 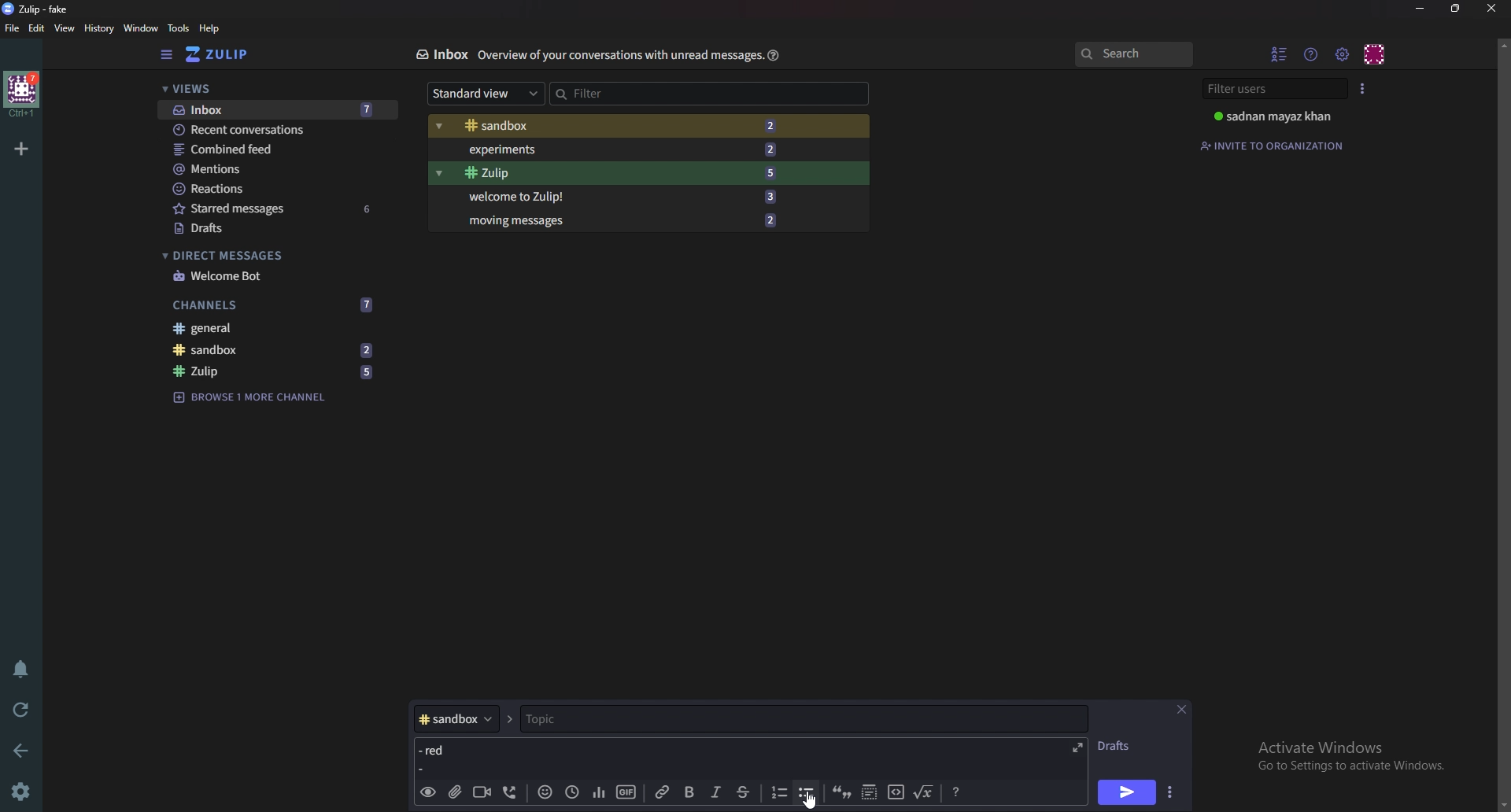 I want to click on Zulip, so click(x=275, y=372).